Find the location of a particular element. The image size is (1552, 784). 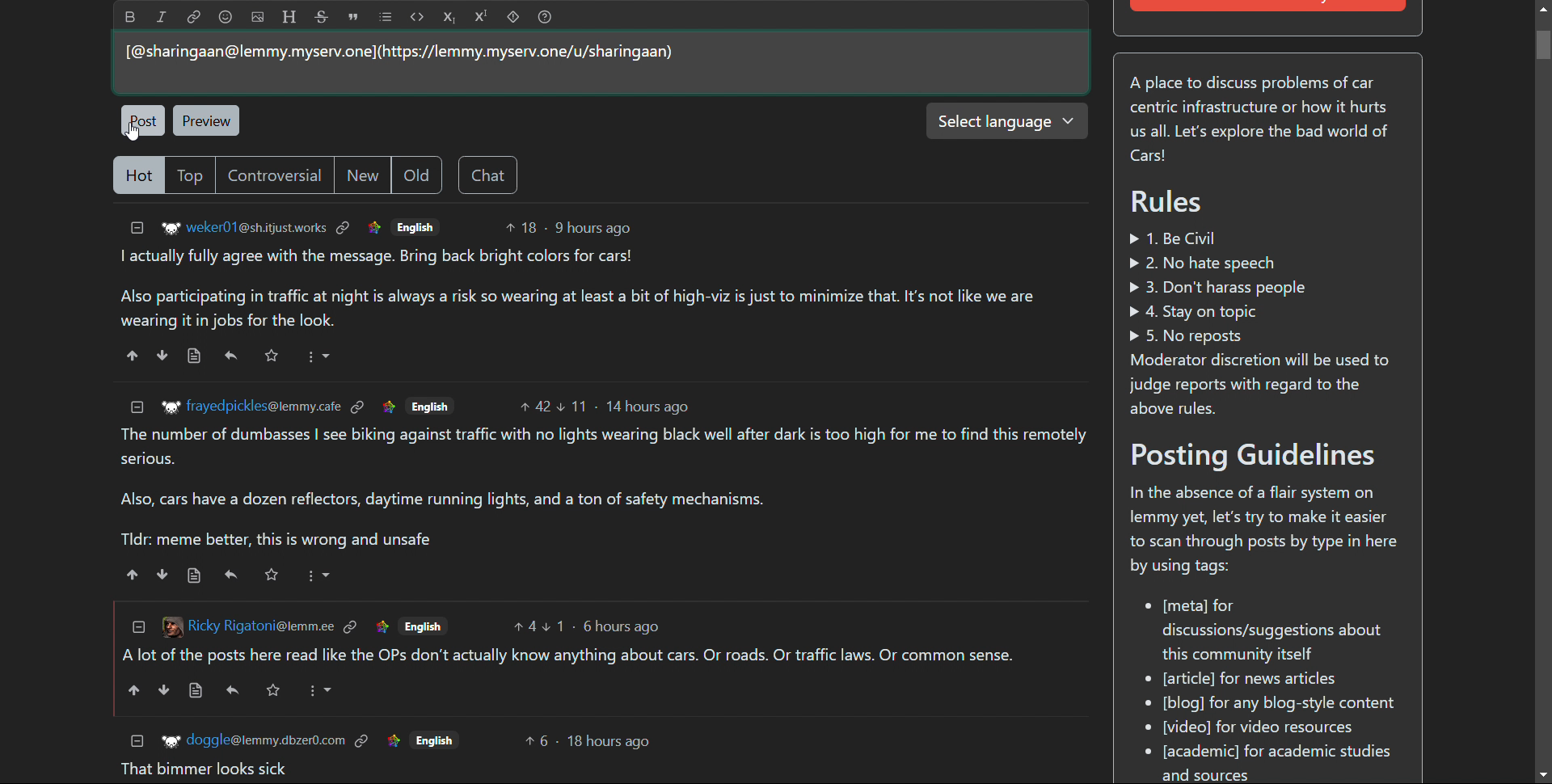

Starred is located at coordinates (273, 356).